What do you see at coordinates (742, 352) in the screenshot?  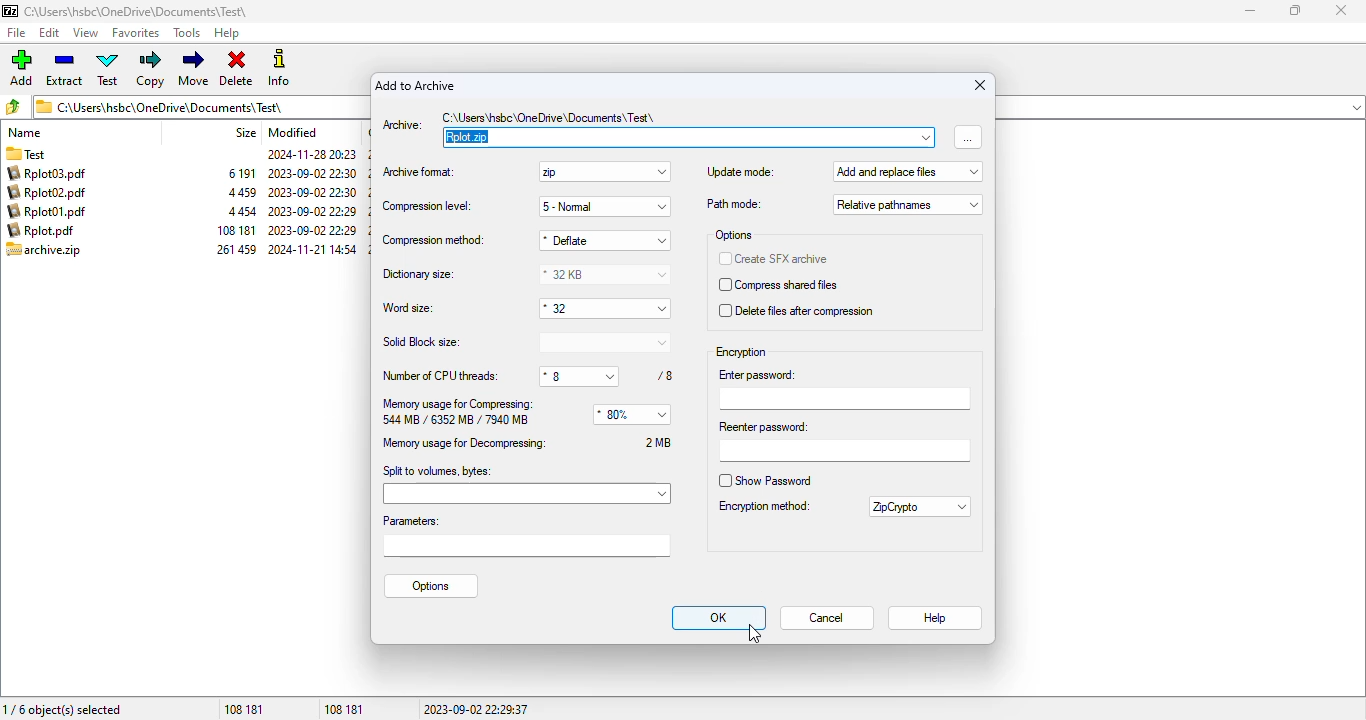 I see `encryption` at bounding box center [742, 352].